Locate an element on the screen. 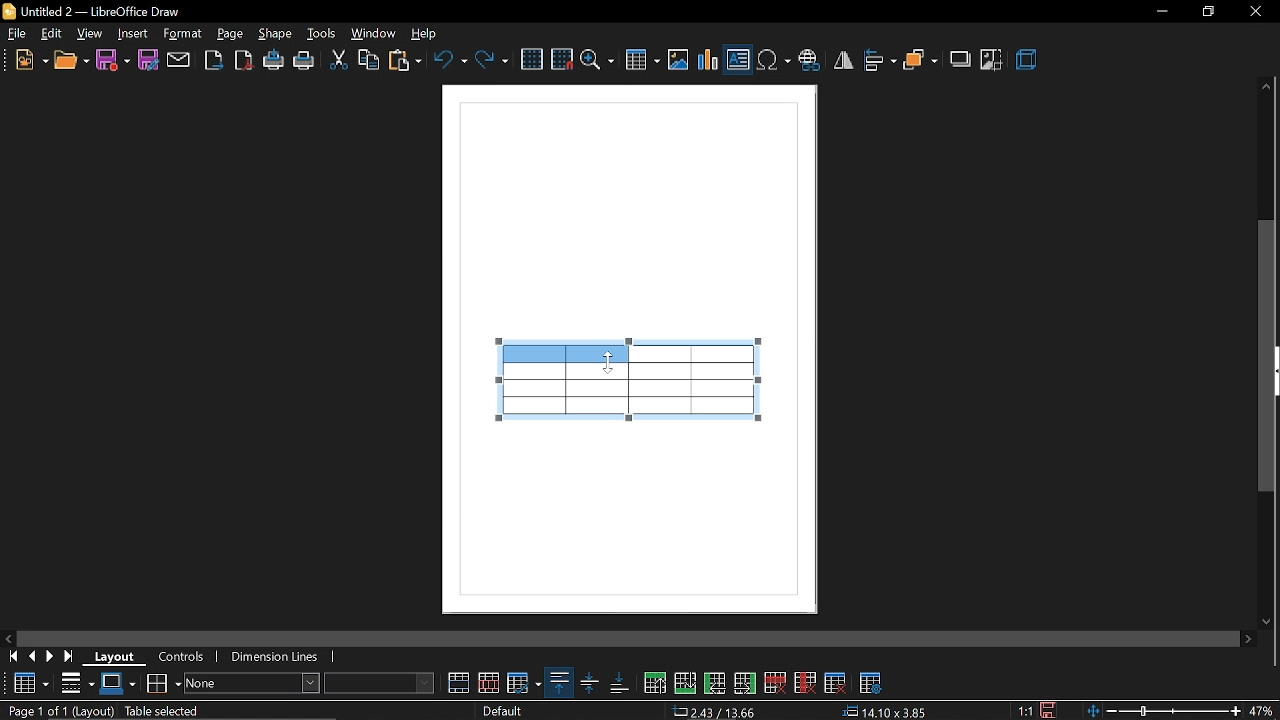  vertical scrollbar is located at coordinates (1267, 356).